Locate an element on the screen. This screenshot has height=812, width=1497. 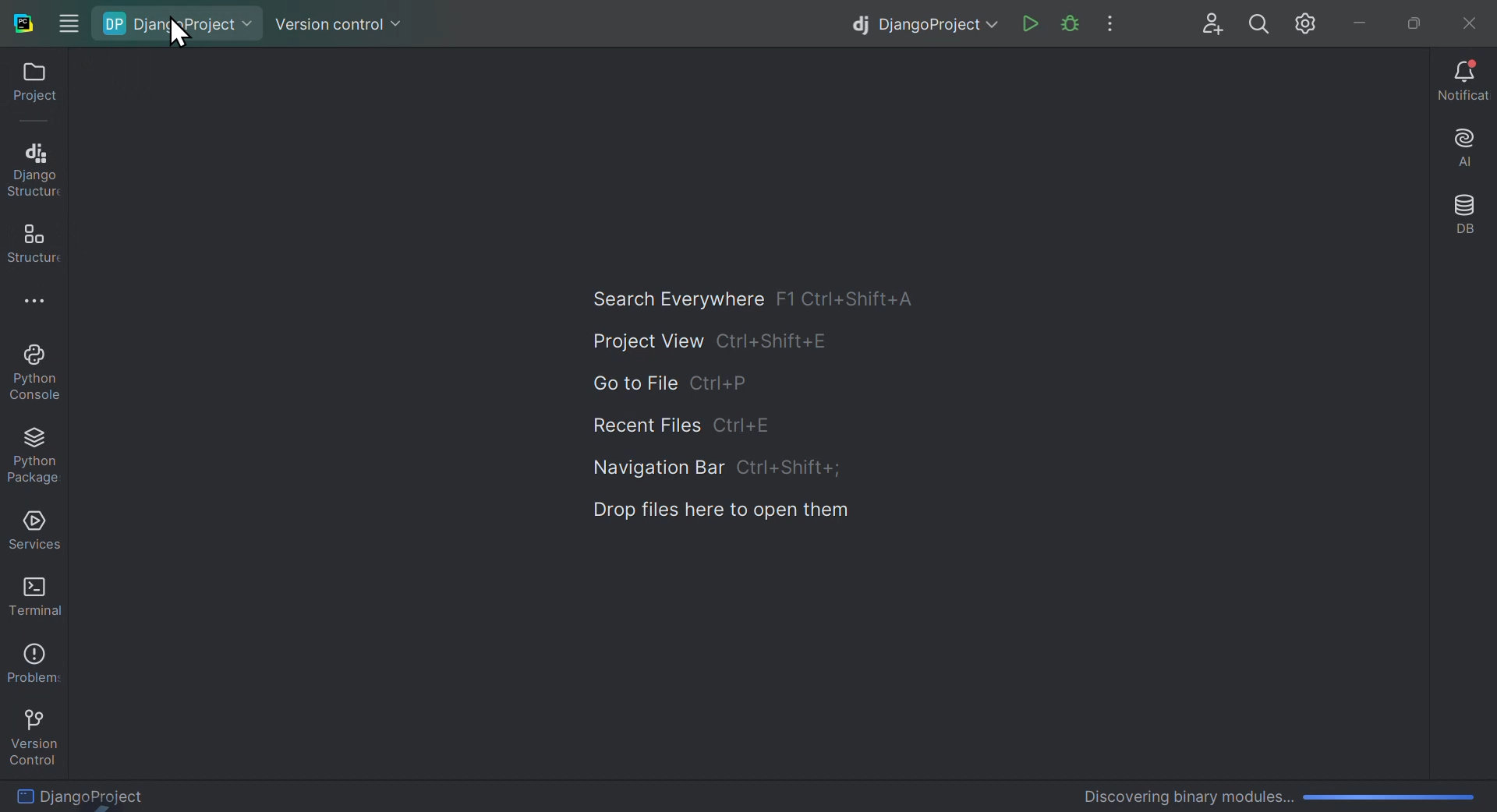
Settings is located at coordinates (1309, 24).